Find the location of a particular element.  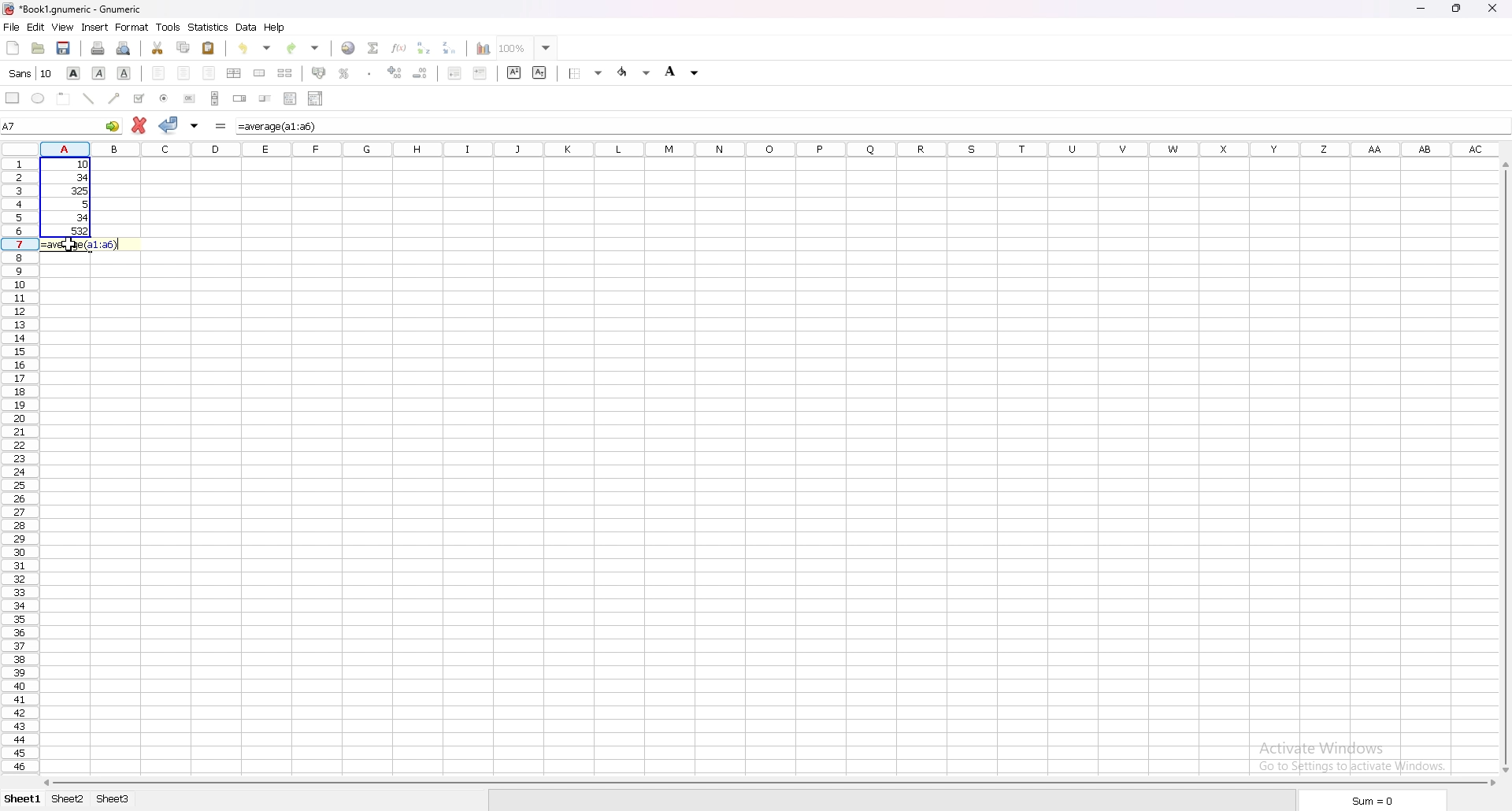

split merged cells is located at coordinates (285, 72).